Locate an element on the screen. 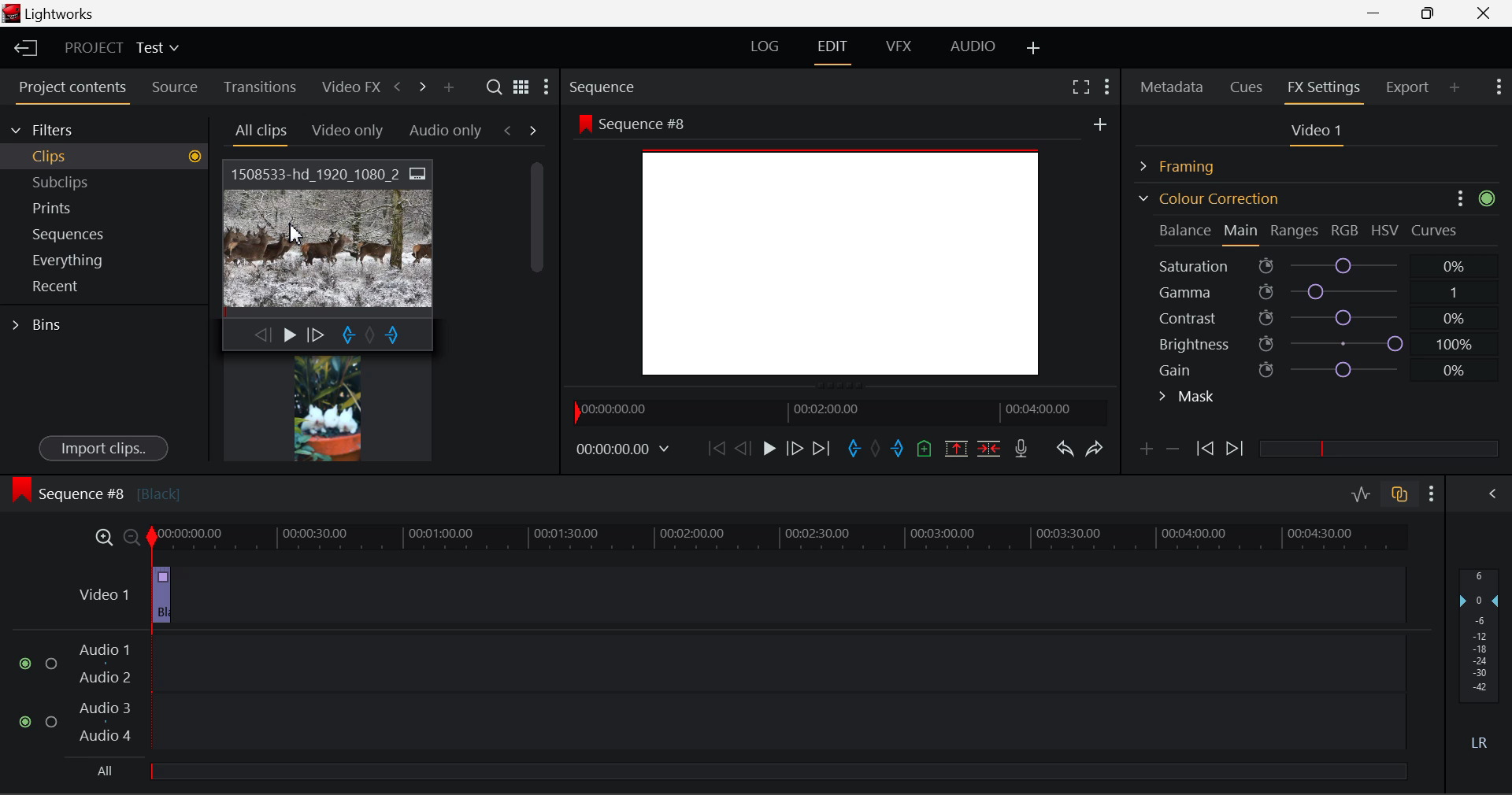 This screenshot has width=1512, height=795. FX Settings Panel Open is located at coordinates (1325, 89).